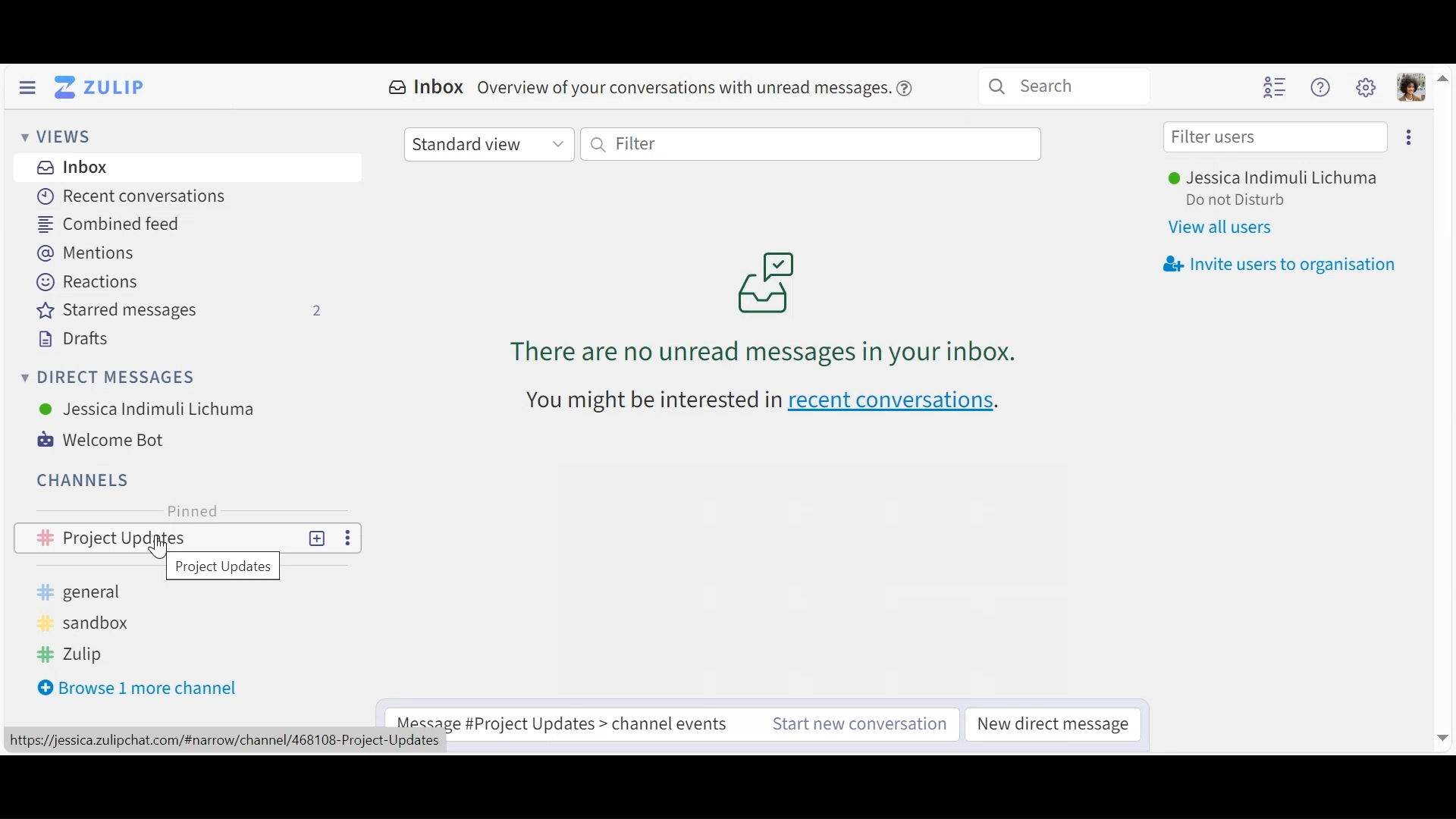 This screenshot has height=819, width=1456. I want to click on Channel, so click(85, 480).